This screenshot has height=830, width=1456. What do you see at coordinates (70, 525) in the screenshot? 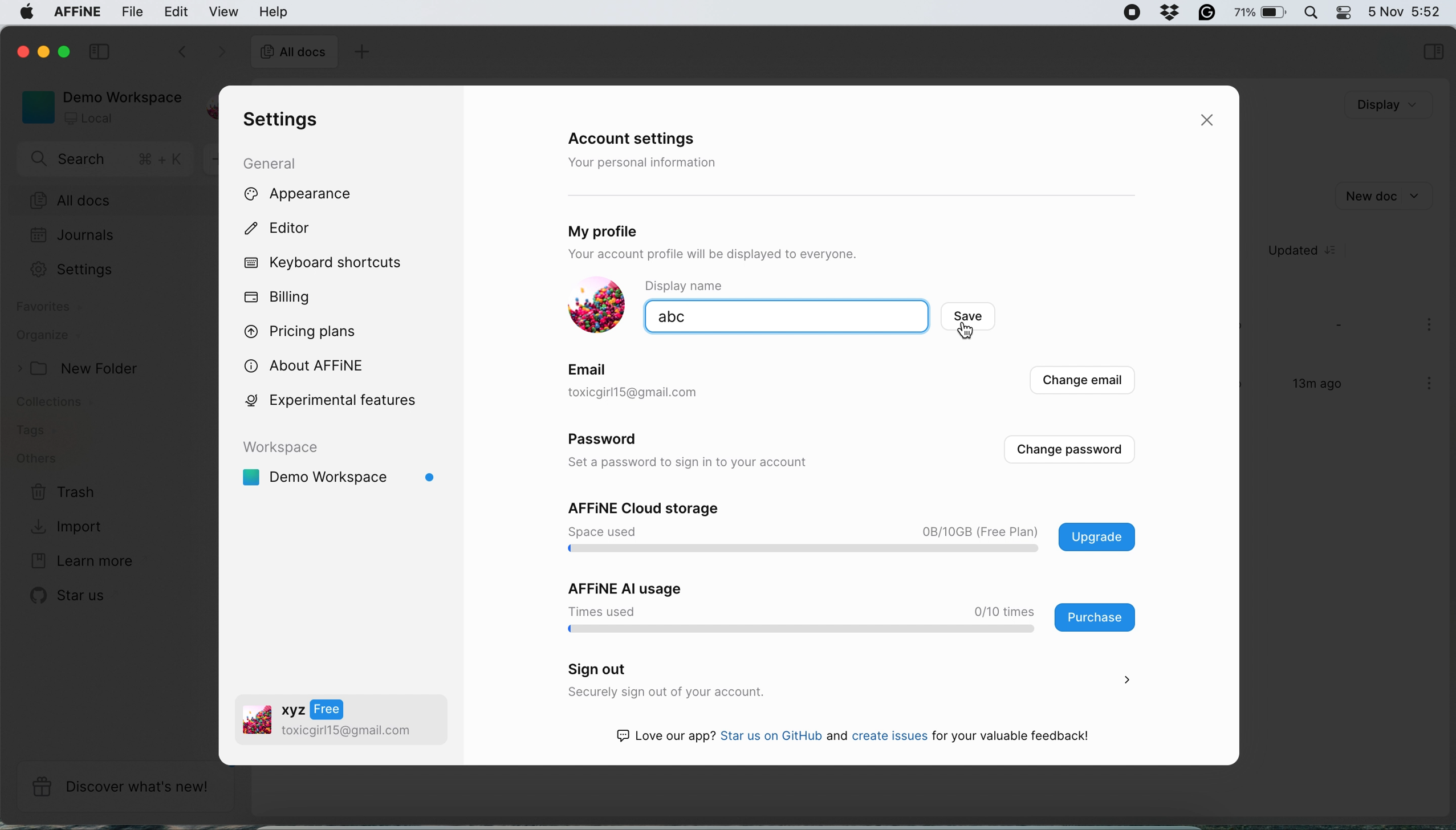
I see `import` at bounding box center [70, 525].